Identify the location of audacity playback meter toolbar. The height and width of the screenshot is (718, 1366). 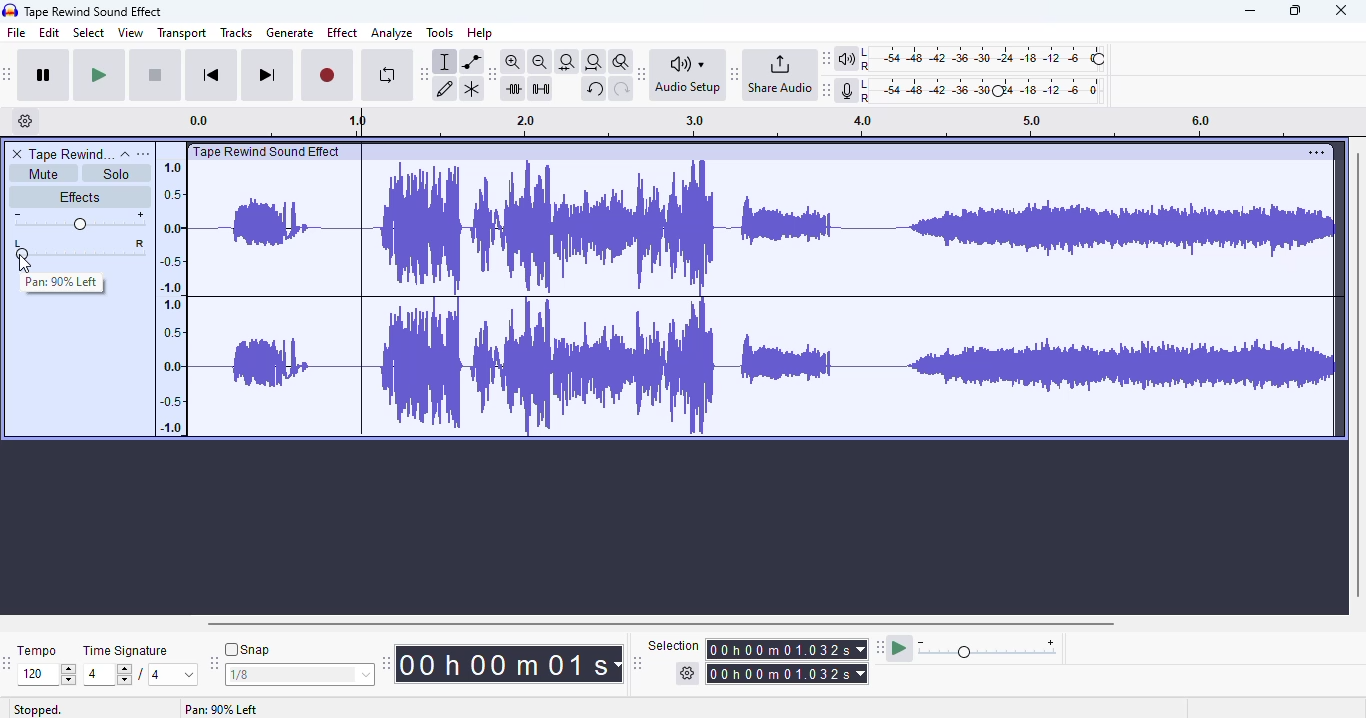
(826, 58).